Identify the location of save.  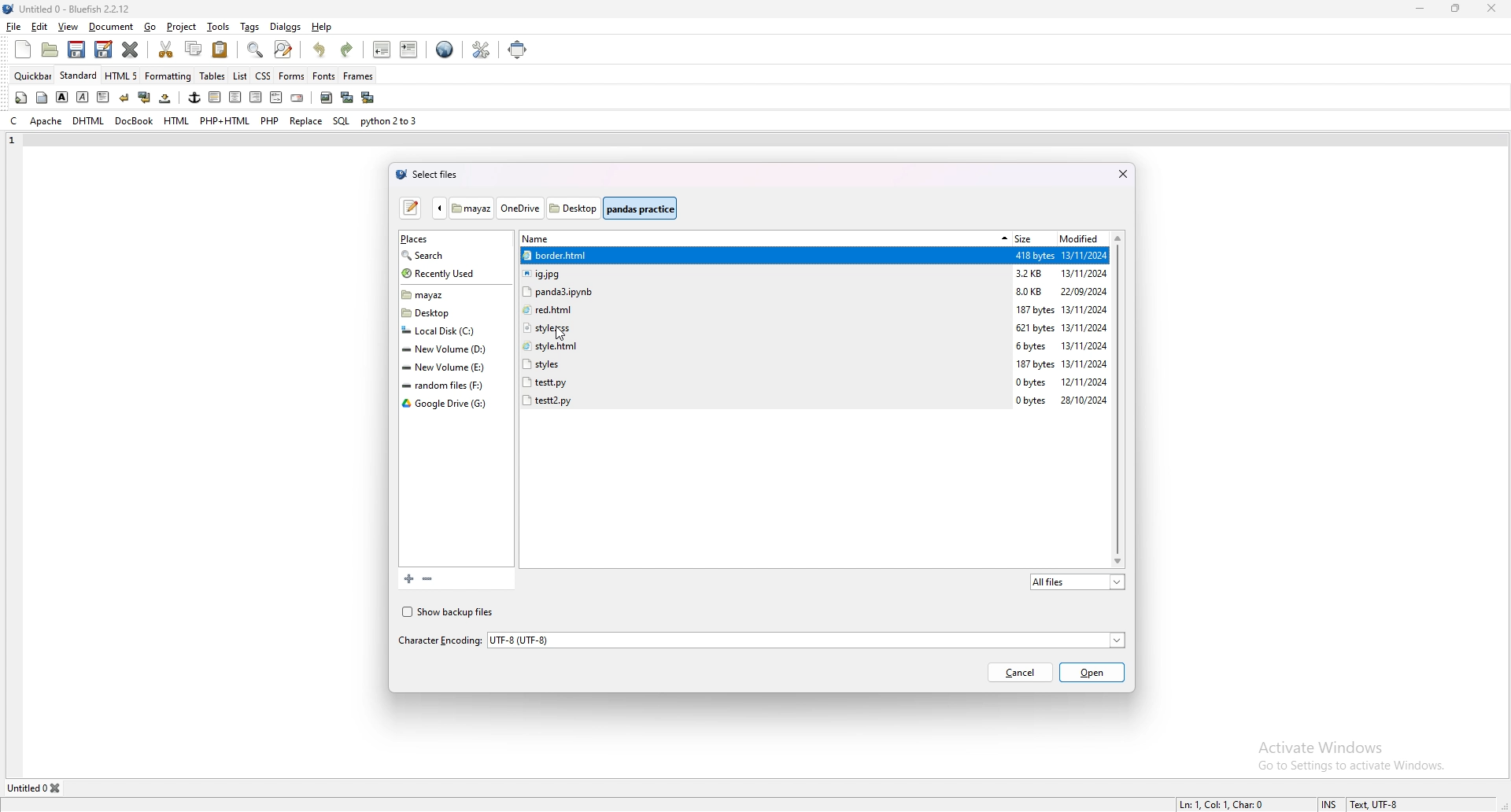
(76, 50).